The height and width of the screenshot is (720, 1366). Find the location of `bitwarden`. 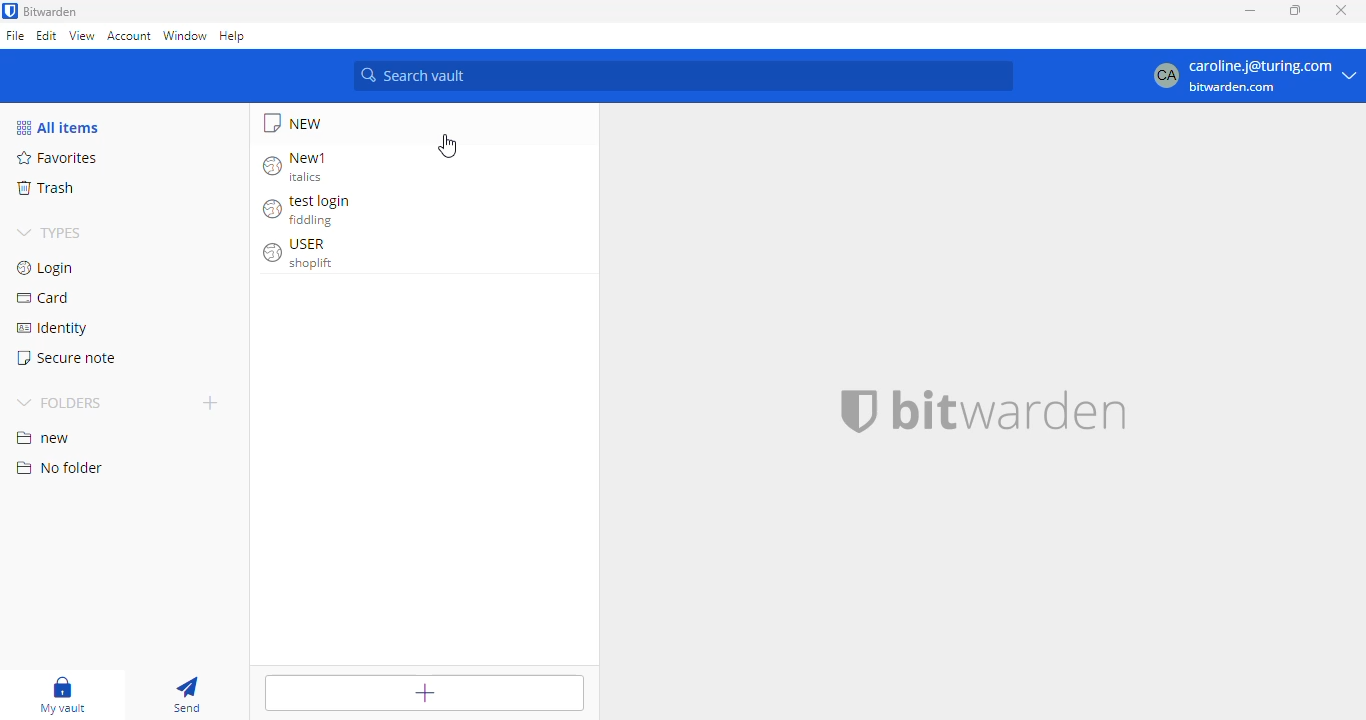

bitwarden is located at coordinates (51, 11).